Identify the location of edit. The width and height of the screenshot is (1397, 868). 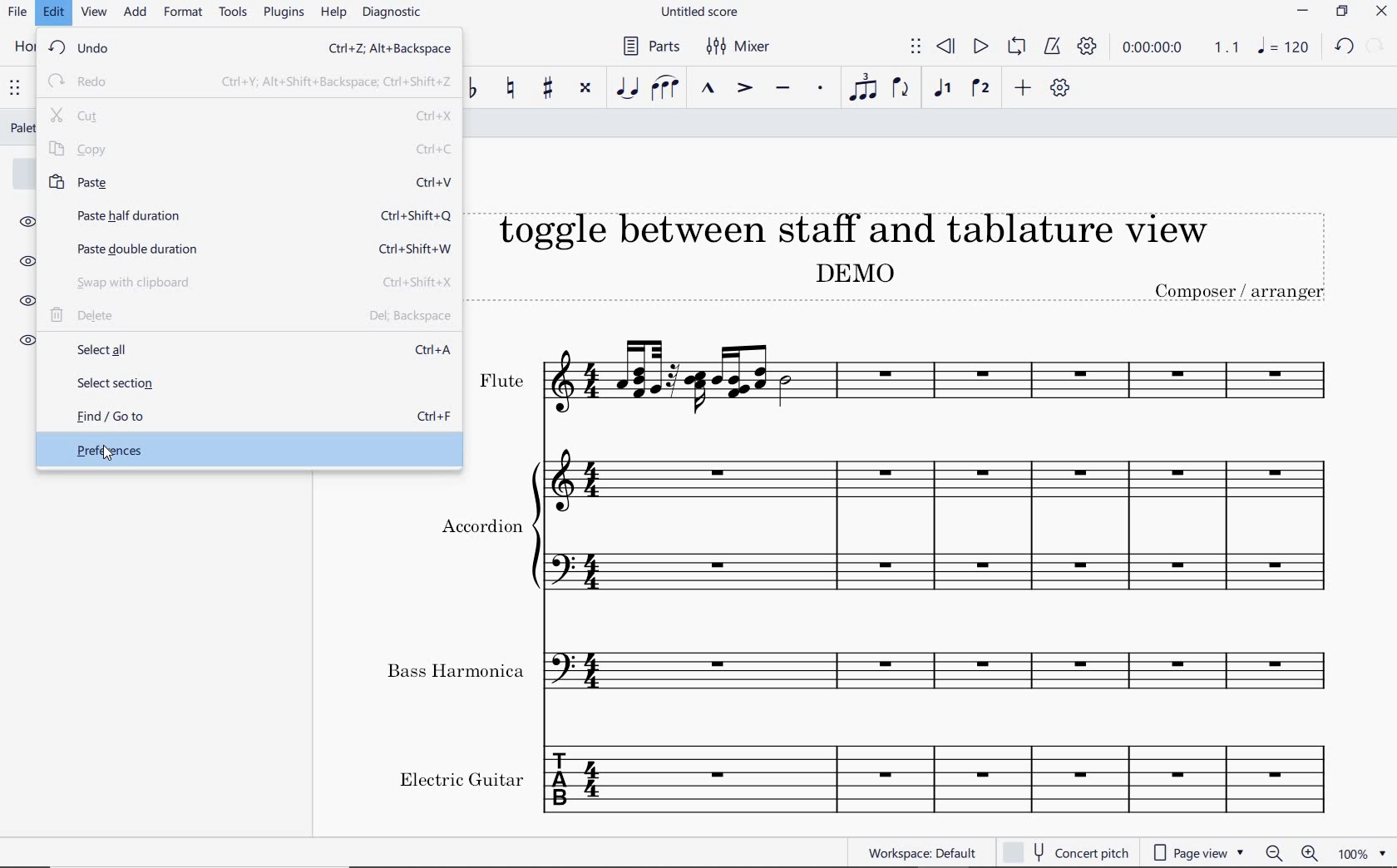
(52, 15).